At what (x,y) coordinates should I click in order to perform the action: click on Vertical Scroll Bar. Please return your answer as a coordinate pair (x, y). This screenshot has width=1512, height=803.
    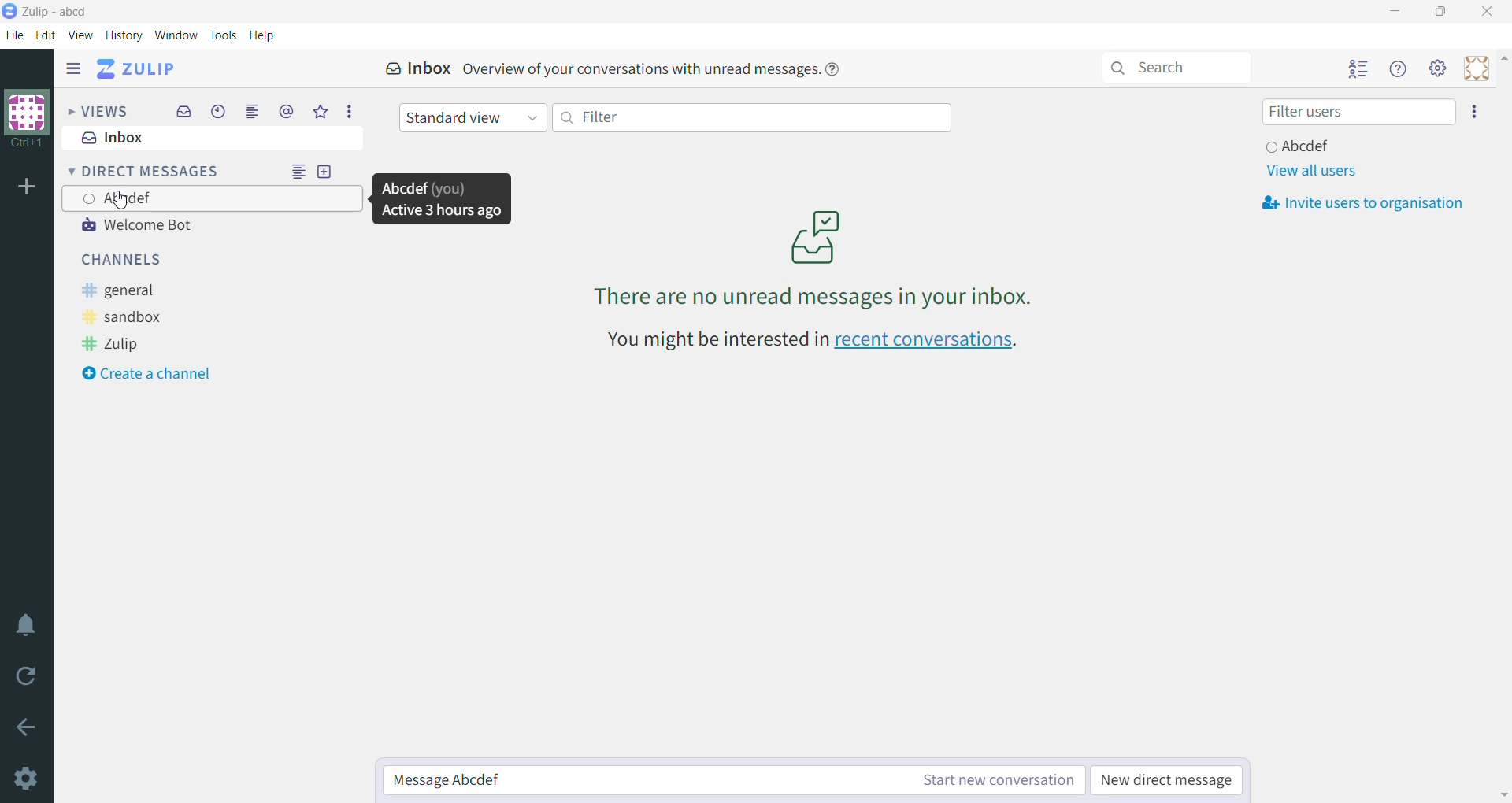
    Looking at the image, I should click on (1503, 426).